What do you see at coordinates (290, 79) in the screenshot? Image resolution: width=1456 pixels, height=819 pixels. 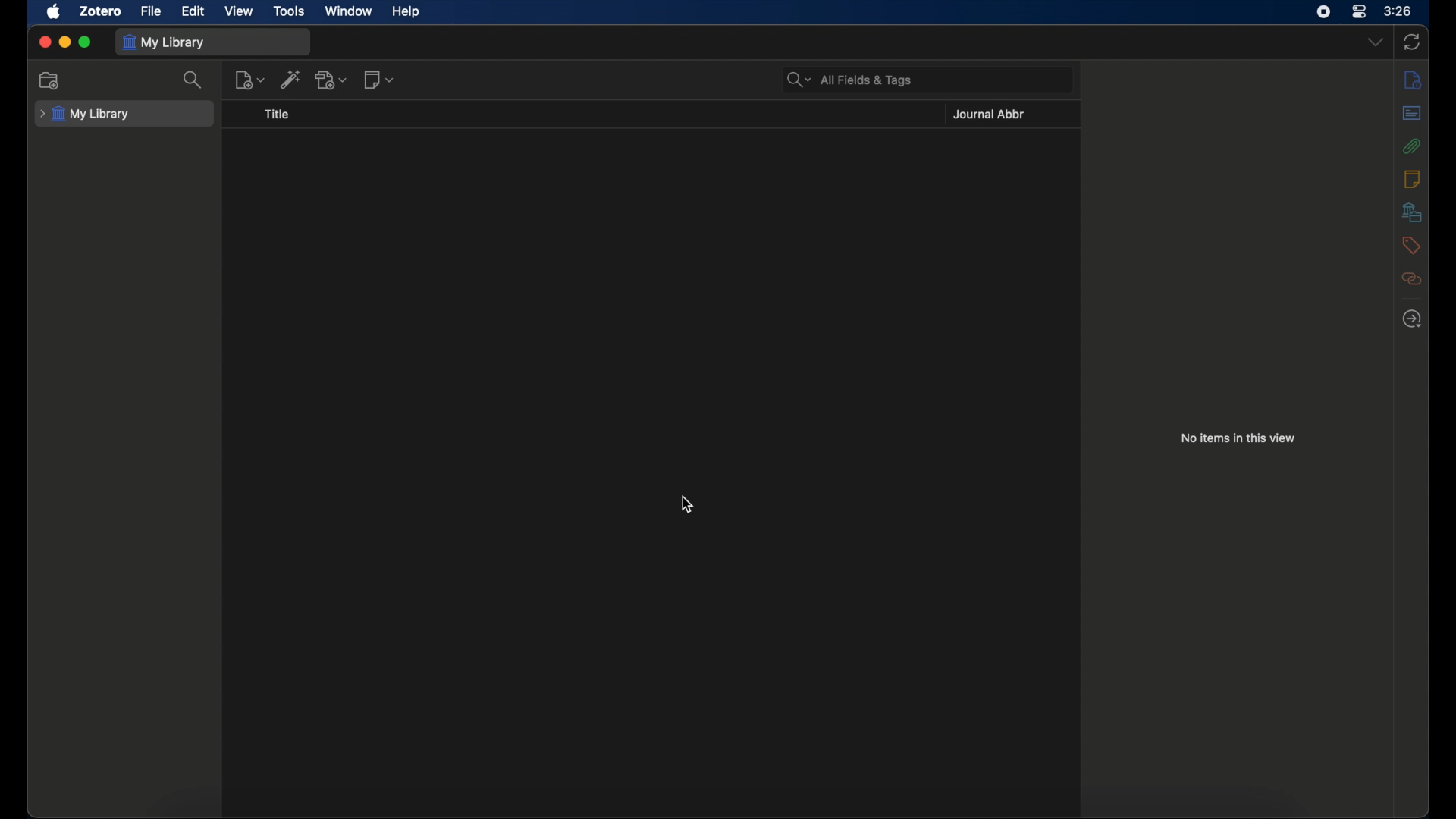 I see `add item b y identifier` at bounding box center [290, 79].